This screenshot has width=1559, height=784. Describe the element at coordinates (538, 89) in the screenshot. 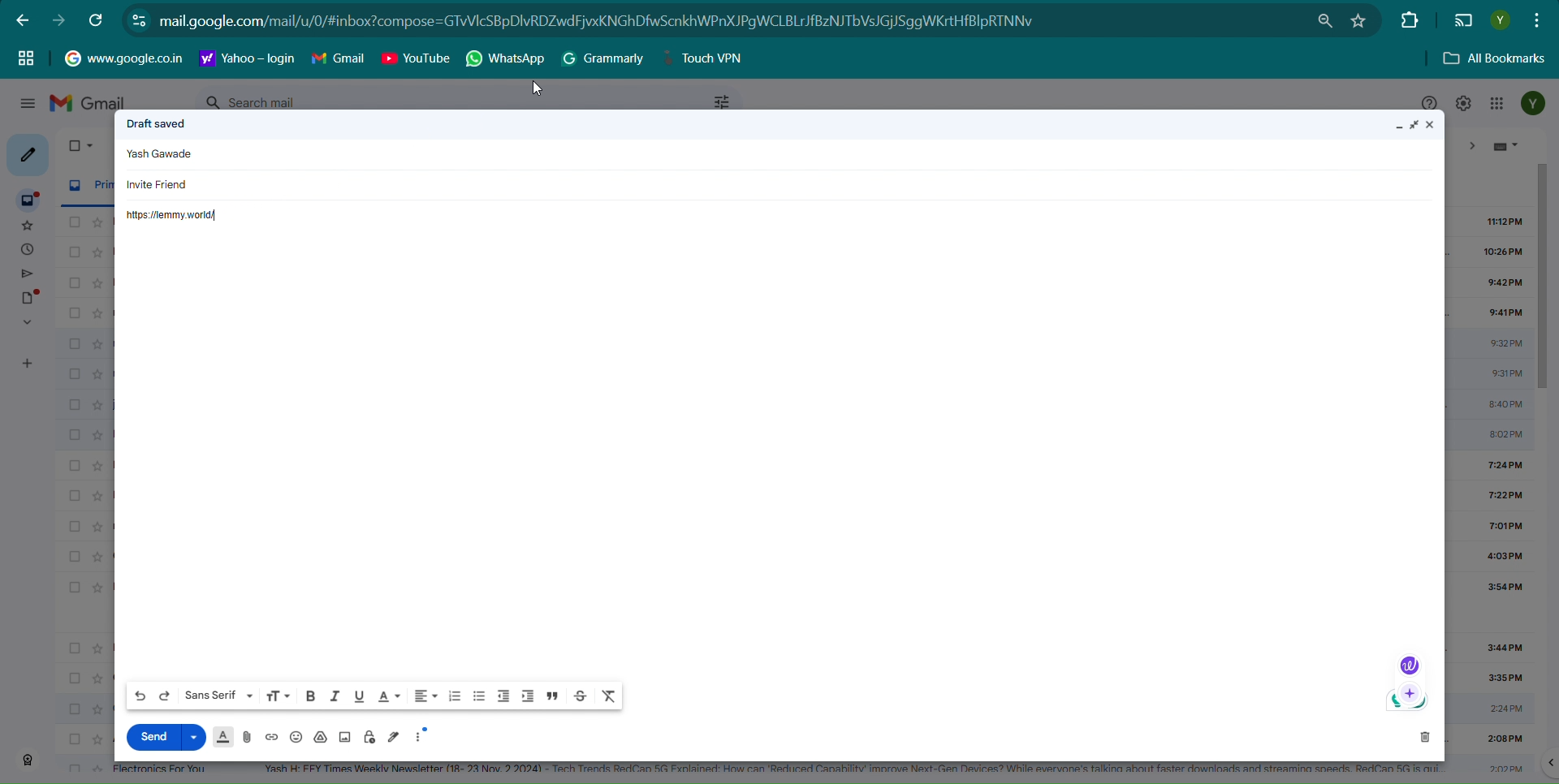

I see `Cursor` at that location.